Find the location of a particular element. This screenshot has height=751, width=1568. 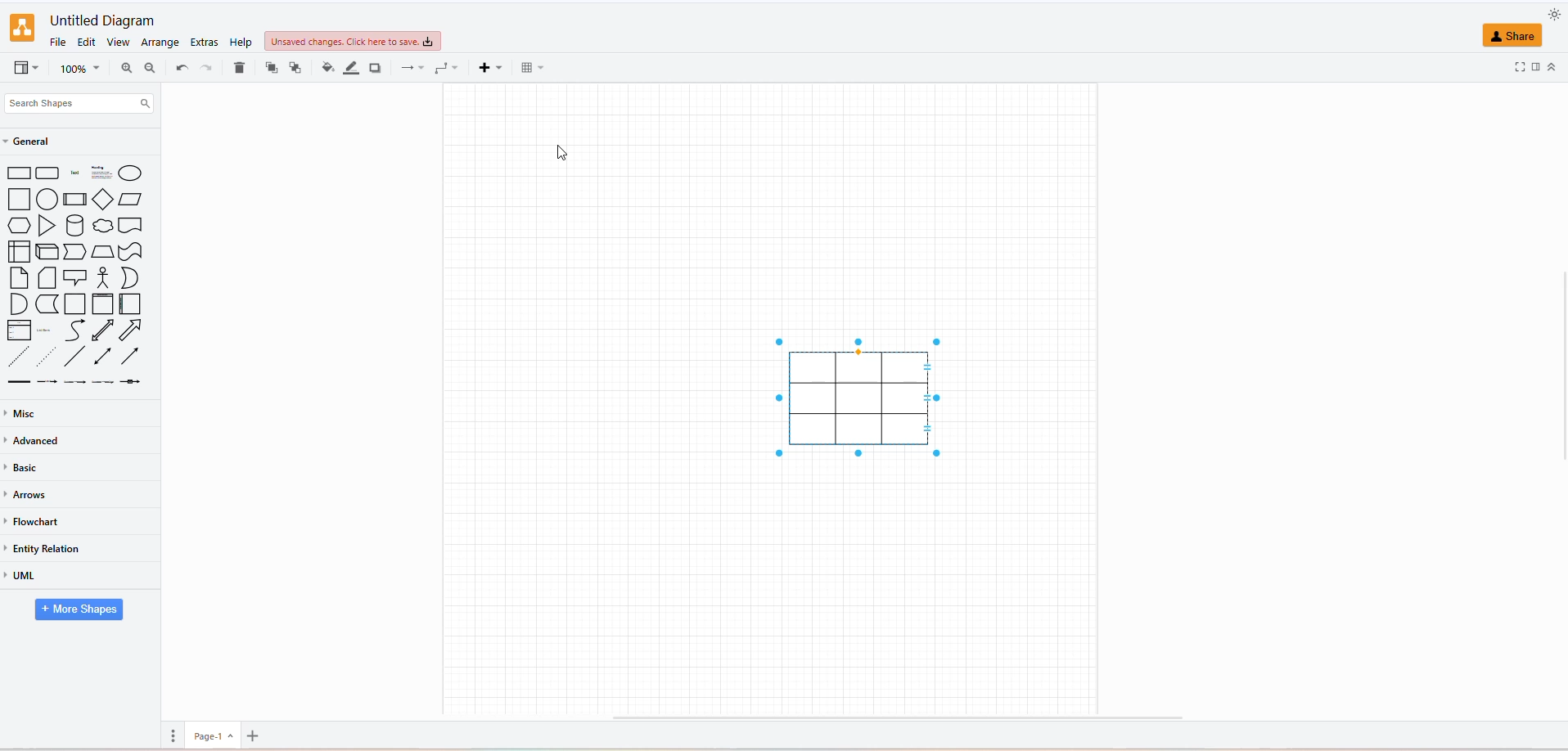

page 1 is located at coordinates (213, 736).